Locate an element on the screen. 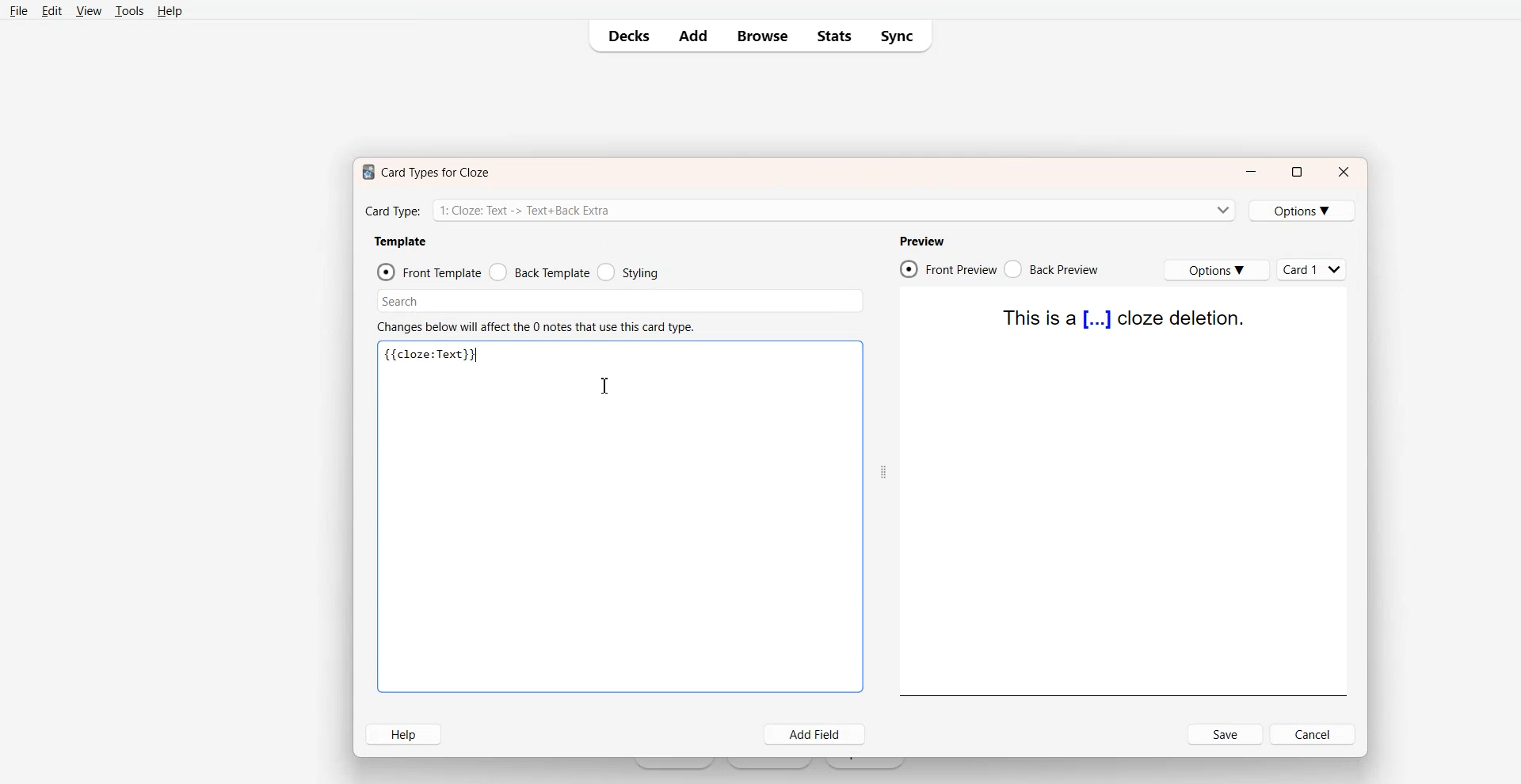 The height and width of the screenshot is (784, 1521). Drag Handle is located at coordinates (882, 471).